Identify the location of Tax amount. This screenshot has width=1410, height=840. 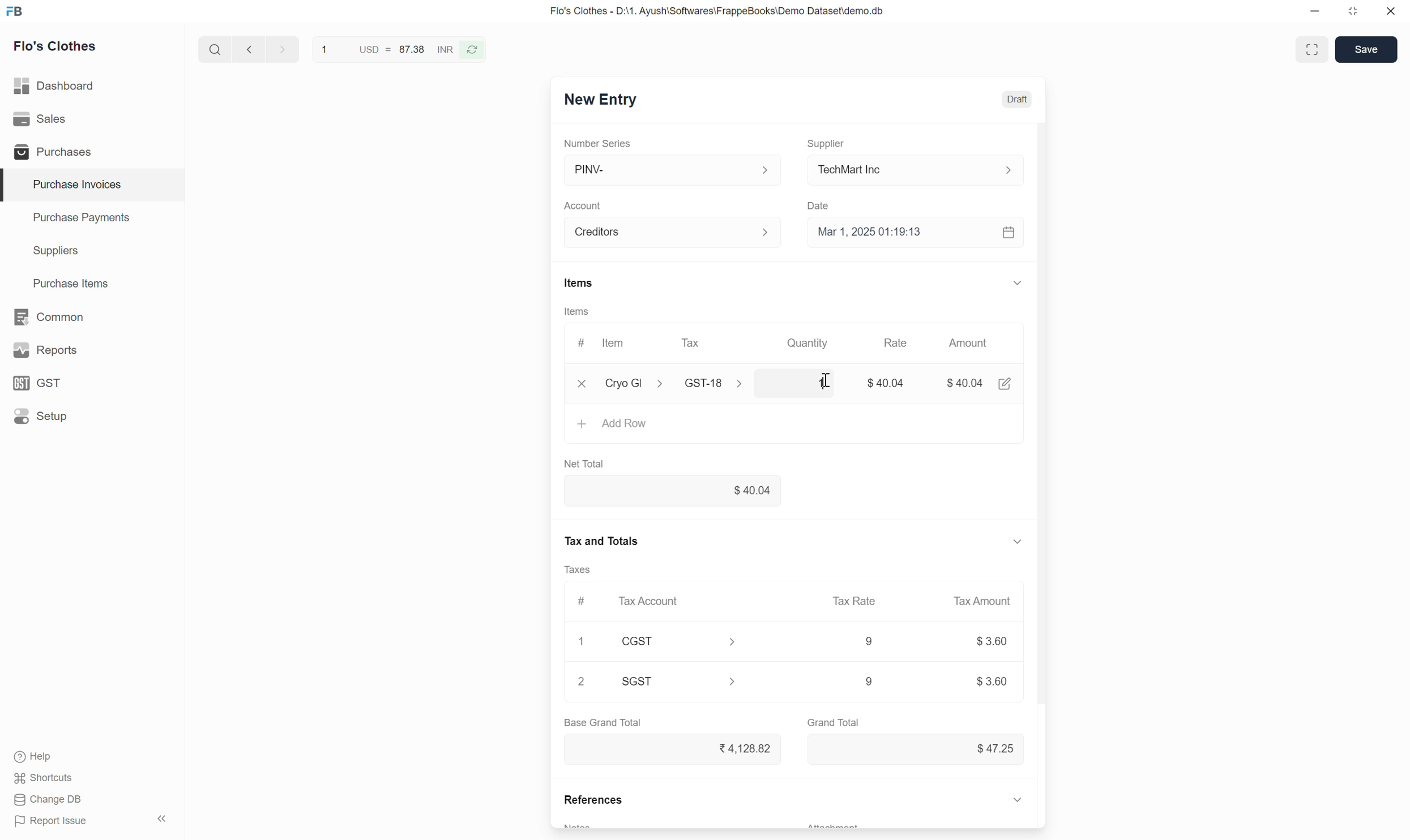
(977, 601).